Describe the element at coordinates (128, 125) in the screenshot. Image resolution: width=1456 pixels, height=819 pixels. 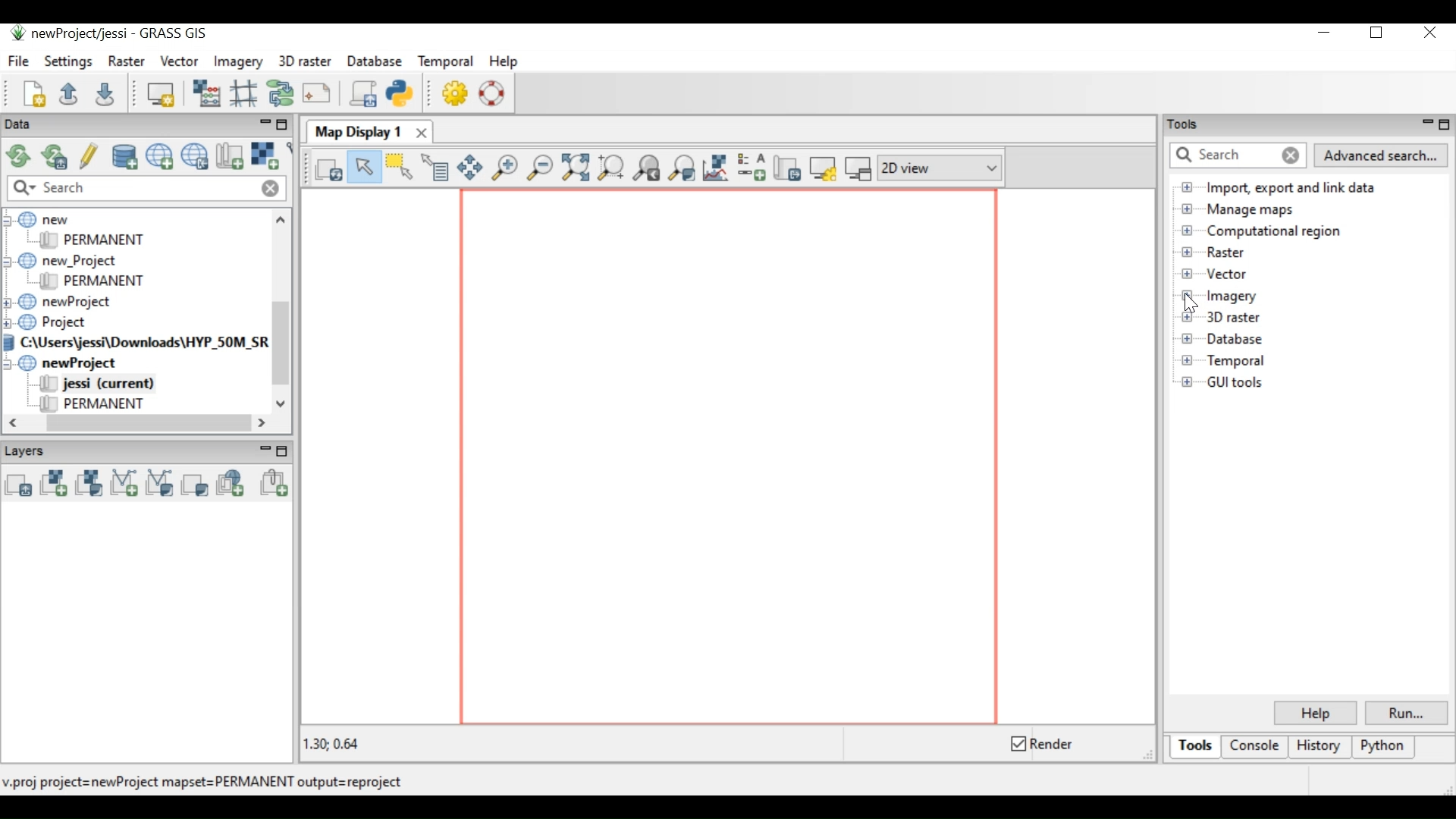
I see `Data panel` at that location.